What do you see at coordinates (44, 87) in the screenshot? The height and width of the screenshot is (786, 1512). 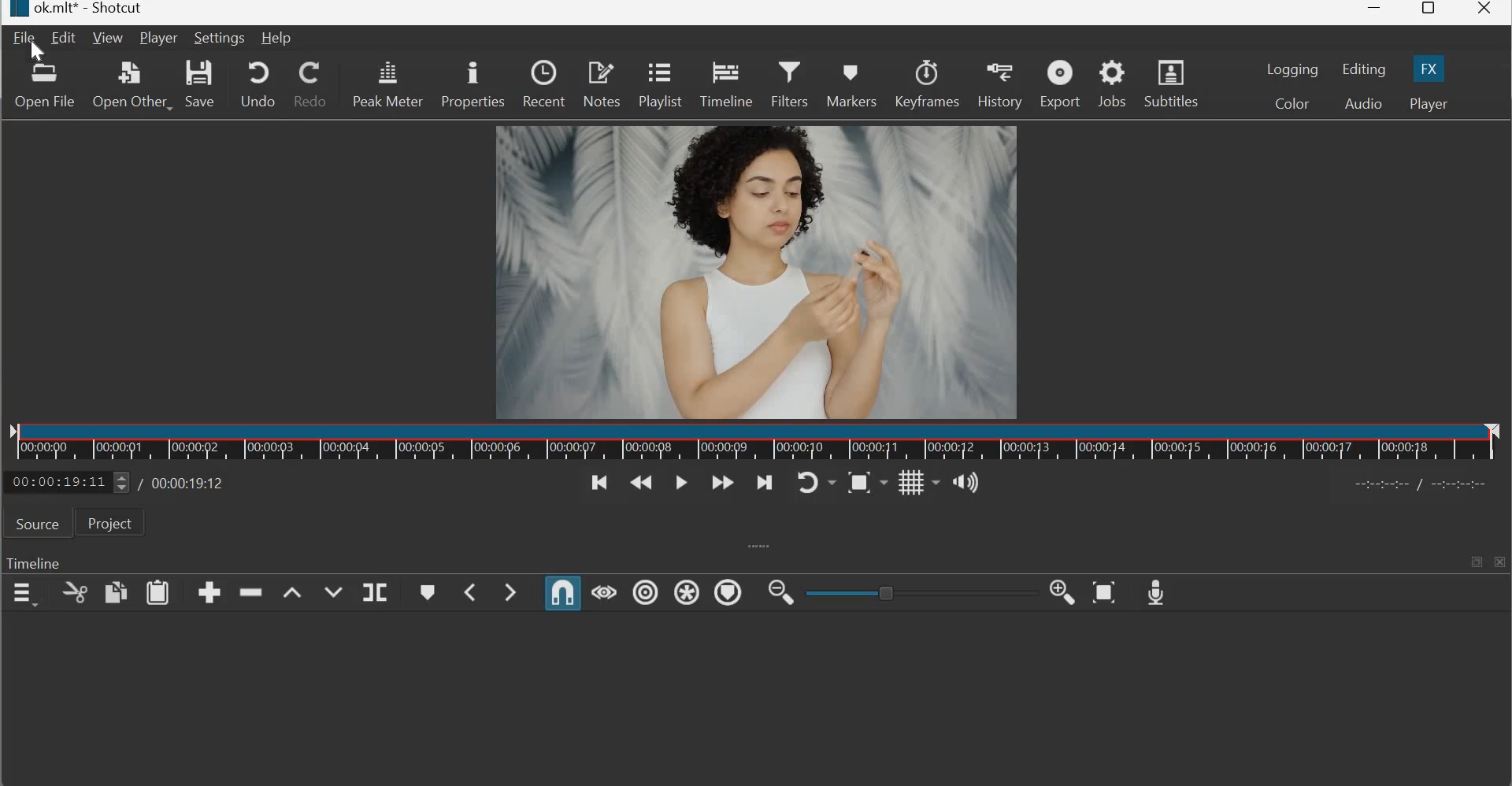 I see `Open File` at bounding box center [44, 87].